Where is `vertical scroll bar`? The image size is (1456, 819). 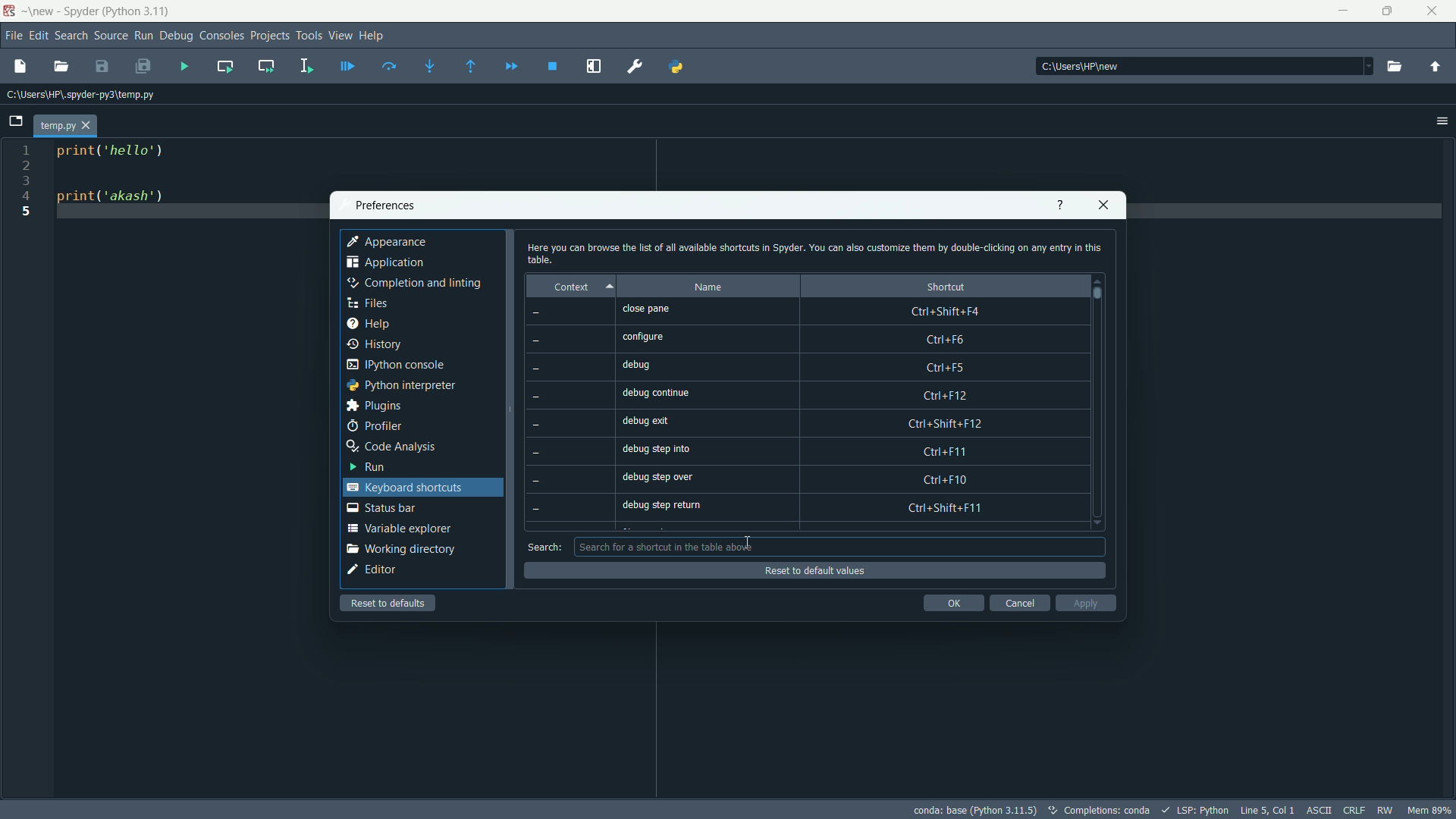 vertical scroll bar is located at coordinates (1102, 401).